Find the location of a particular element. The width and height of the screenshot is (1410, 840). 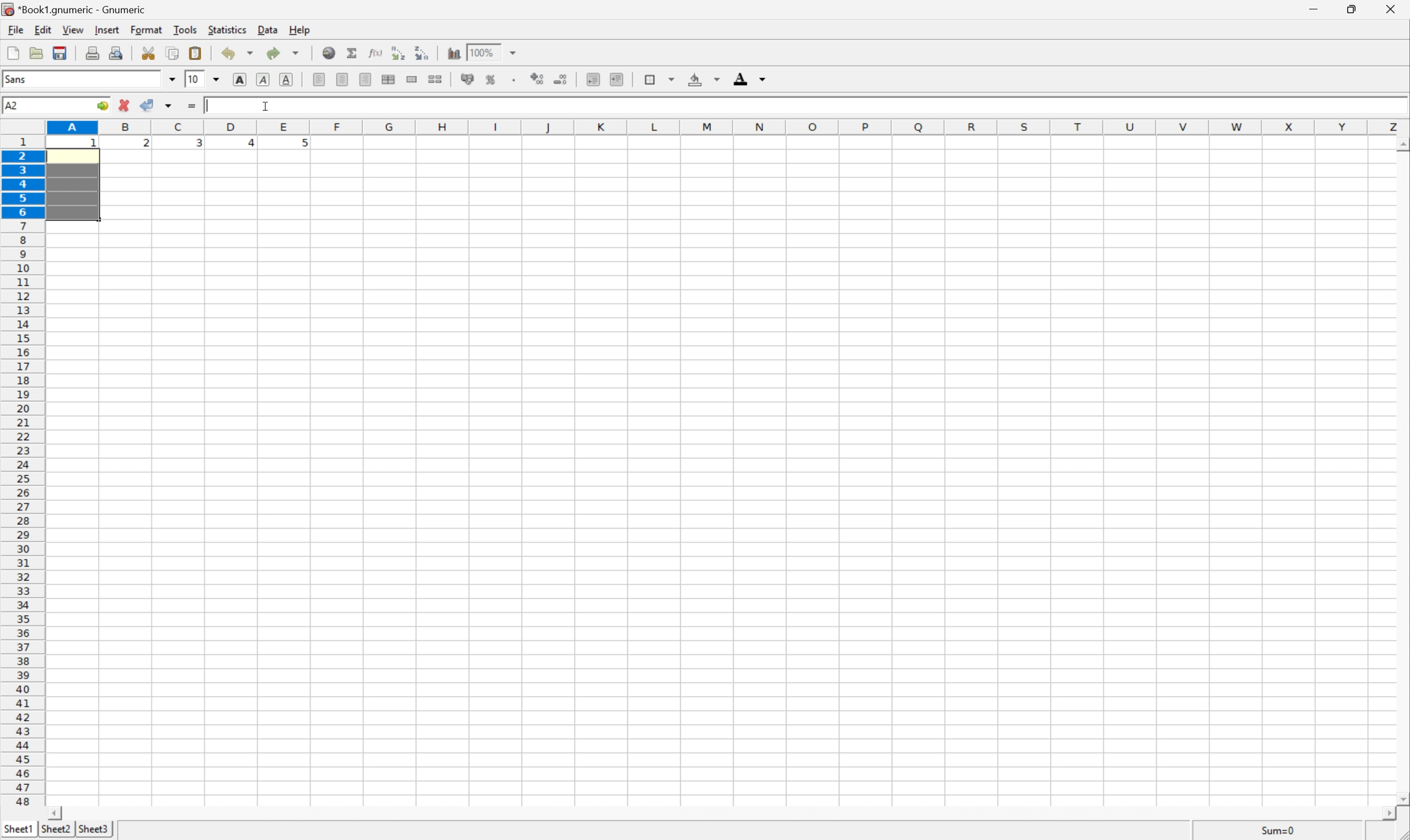

copy is located at coordinates (174, 52).